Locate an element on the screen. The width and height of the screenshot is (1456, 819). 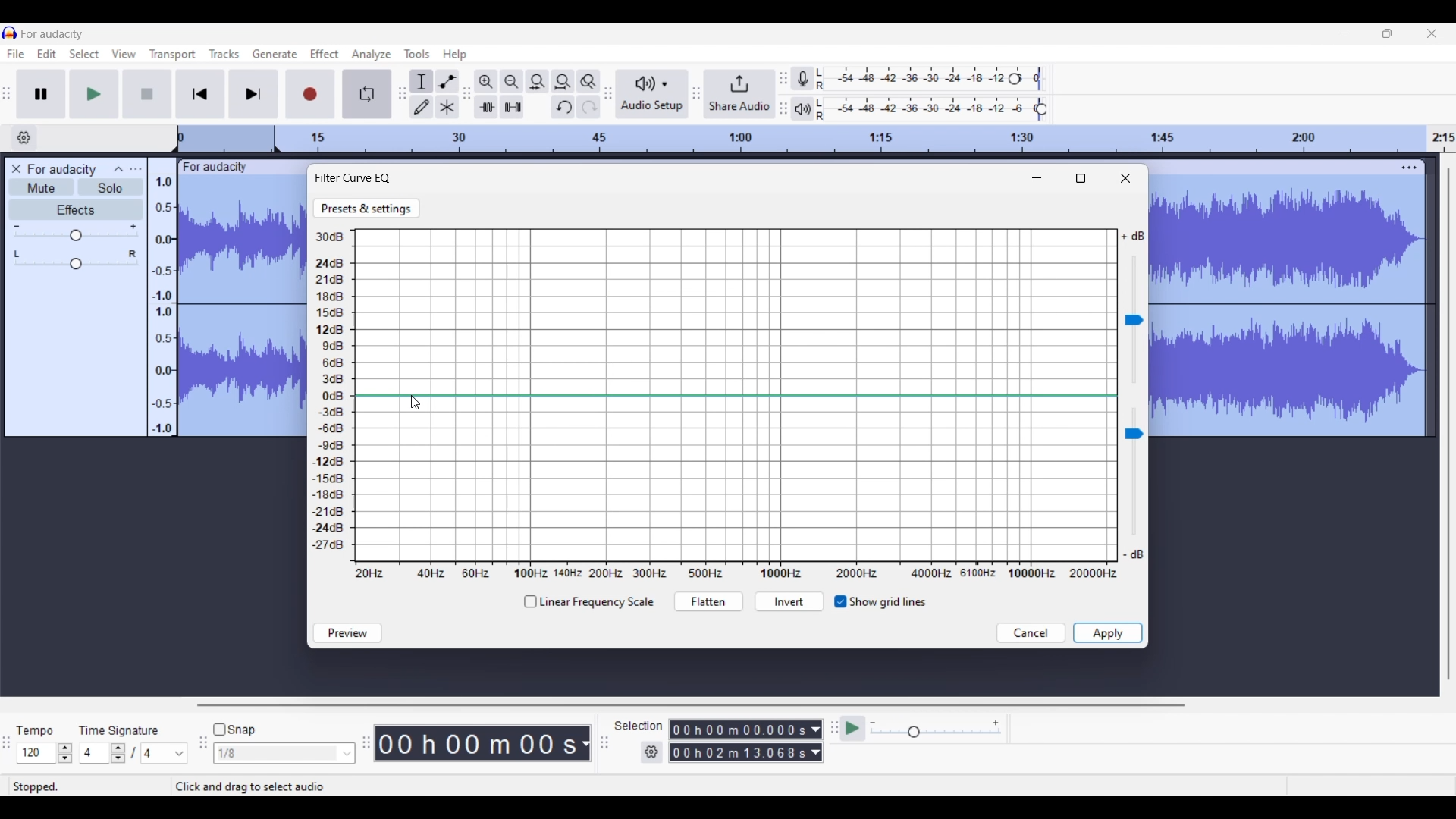
Effect menu is located at coordinates (325, 55).